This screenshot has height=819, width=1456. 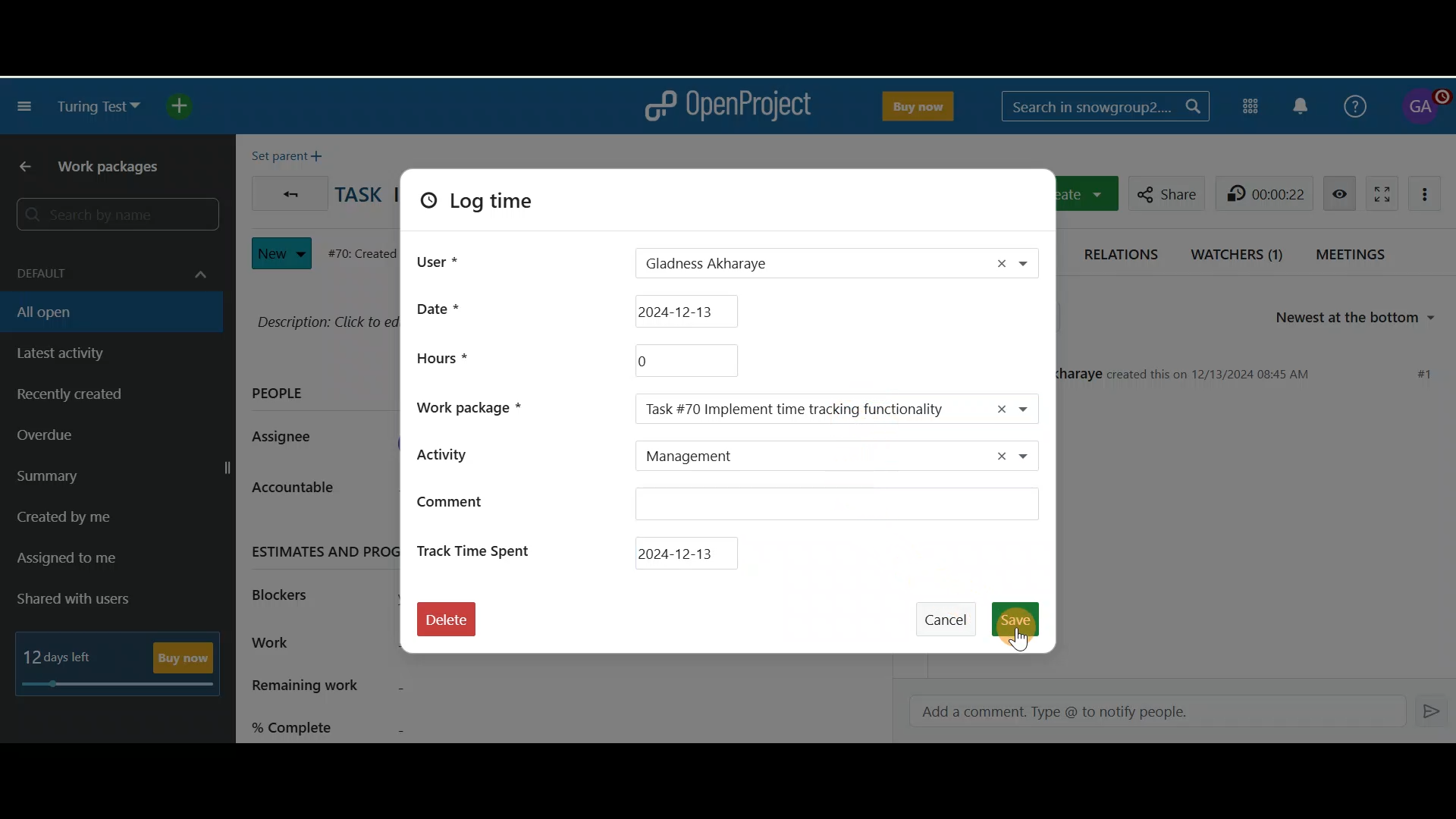 What do you see at coordinates (187, 106) in the screenshot?
I see `Open quick add menu` at bounding box center [187, 106].